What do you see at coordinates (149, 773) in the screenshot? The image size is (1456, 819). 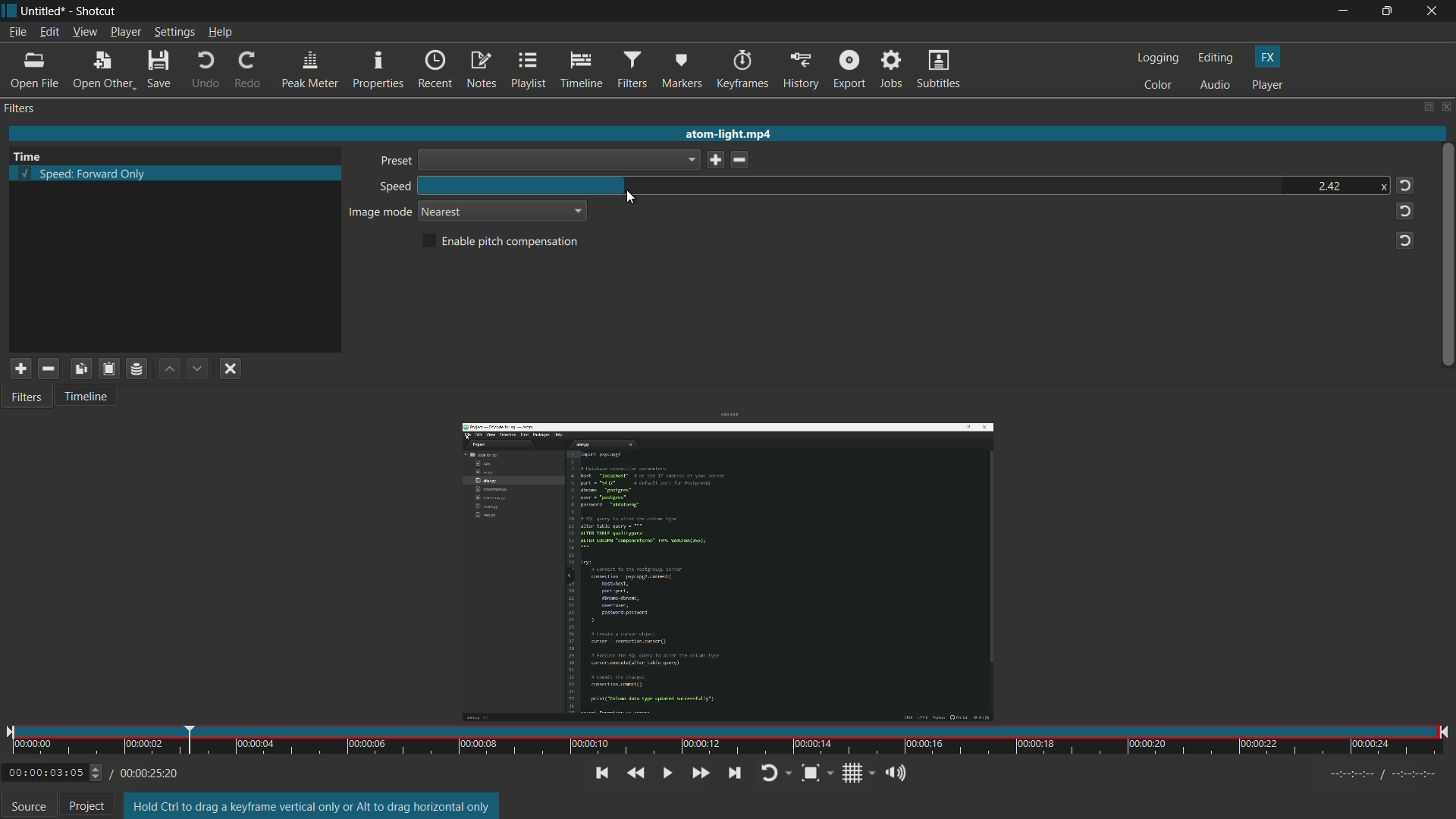 I see `/00:00:25:20` at bounding box center [149, 773].